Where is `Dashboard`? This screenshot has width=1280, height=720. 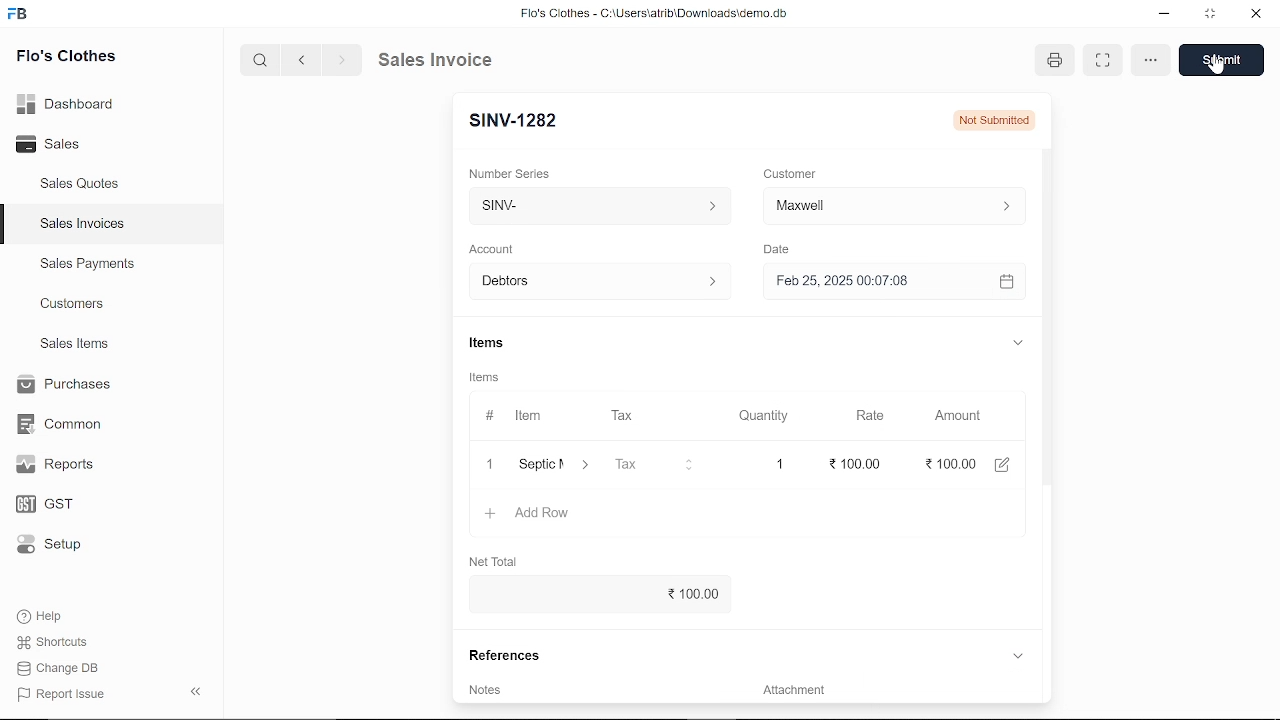
Dashboard is located at coordinates (67, 107).